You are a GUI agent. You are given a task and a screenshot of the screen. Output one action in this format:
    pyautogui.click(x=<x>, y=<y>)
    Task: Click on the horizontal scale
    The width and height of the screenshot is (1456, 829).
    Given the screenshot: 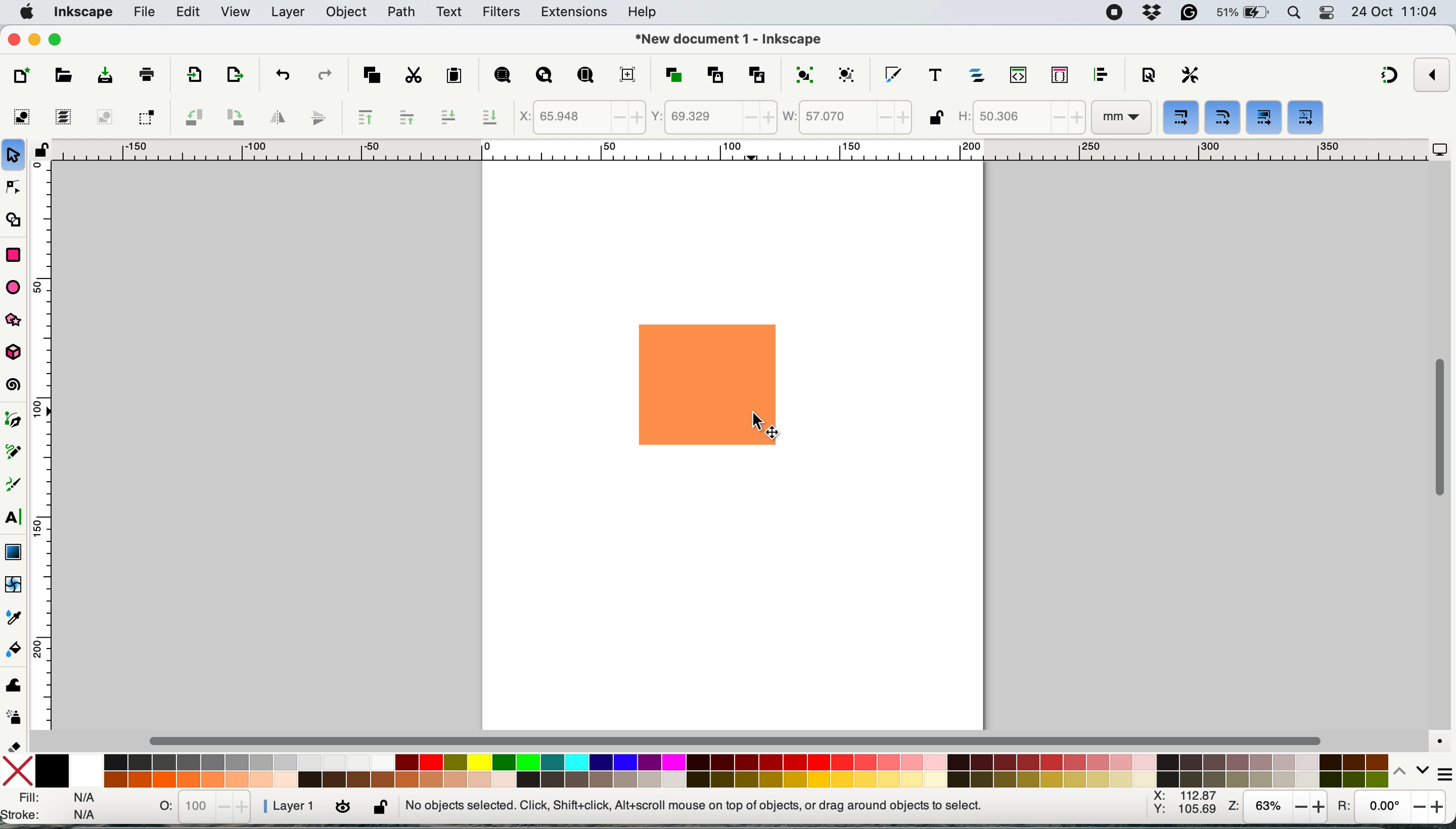 What is the action you would take?
    pyautogui.click(x=739, y=153)
    